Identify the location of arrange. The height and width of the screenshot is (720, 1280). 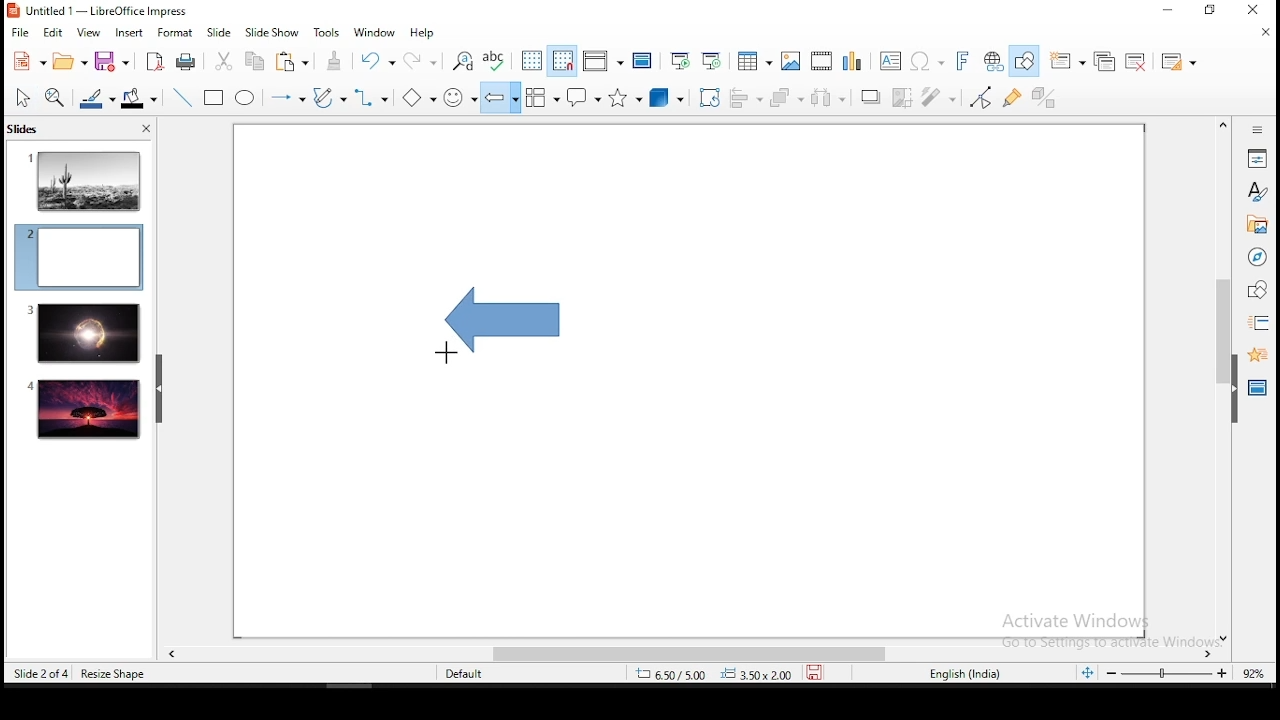
(789, 98).